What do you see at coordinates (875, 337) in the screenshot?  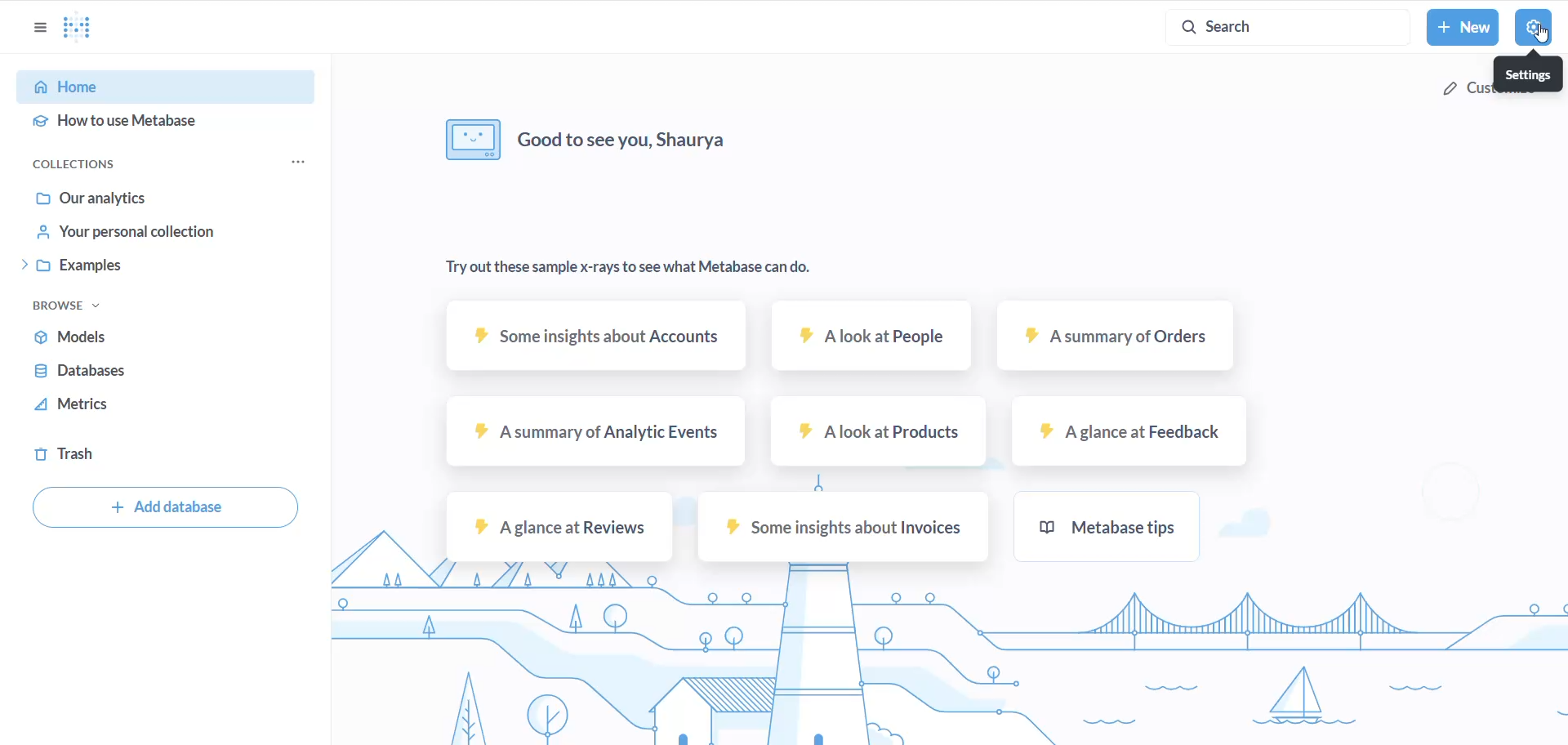 I see `A look at people` at bounding box center [875, 337].